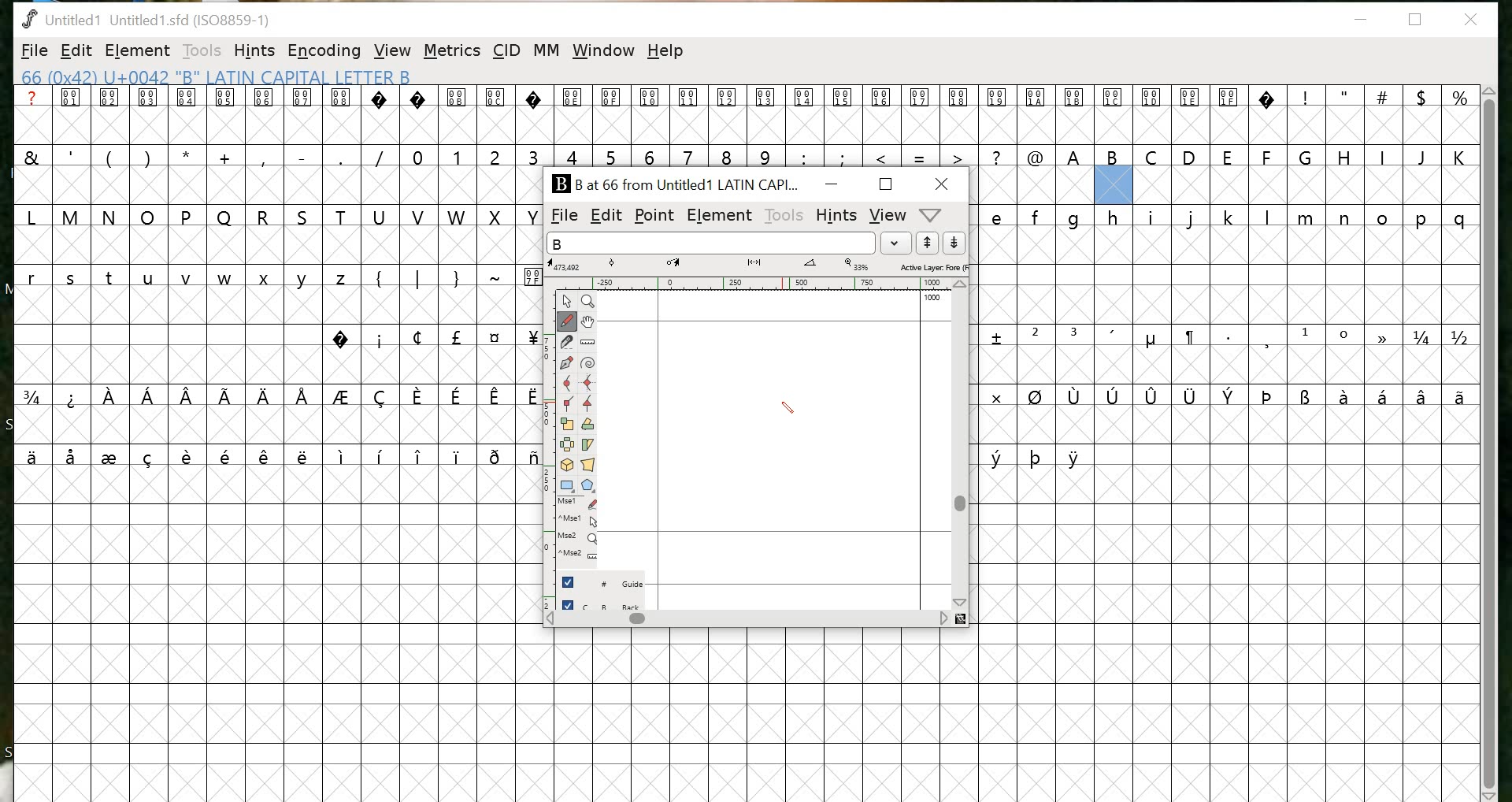 This screenshot has height=802, width=1512. Describe the element at coordinates (786, 408) in the screenshot. I see `pen tool/ cursor location` at that location.